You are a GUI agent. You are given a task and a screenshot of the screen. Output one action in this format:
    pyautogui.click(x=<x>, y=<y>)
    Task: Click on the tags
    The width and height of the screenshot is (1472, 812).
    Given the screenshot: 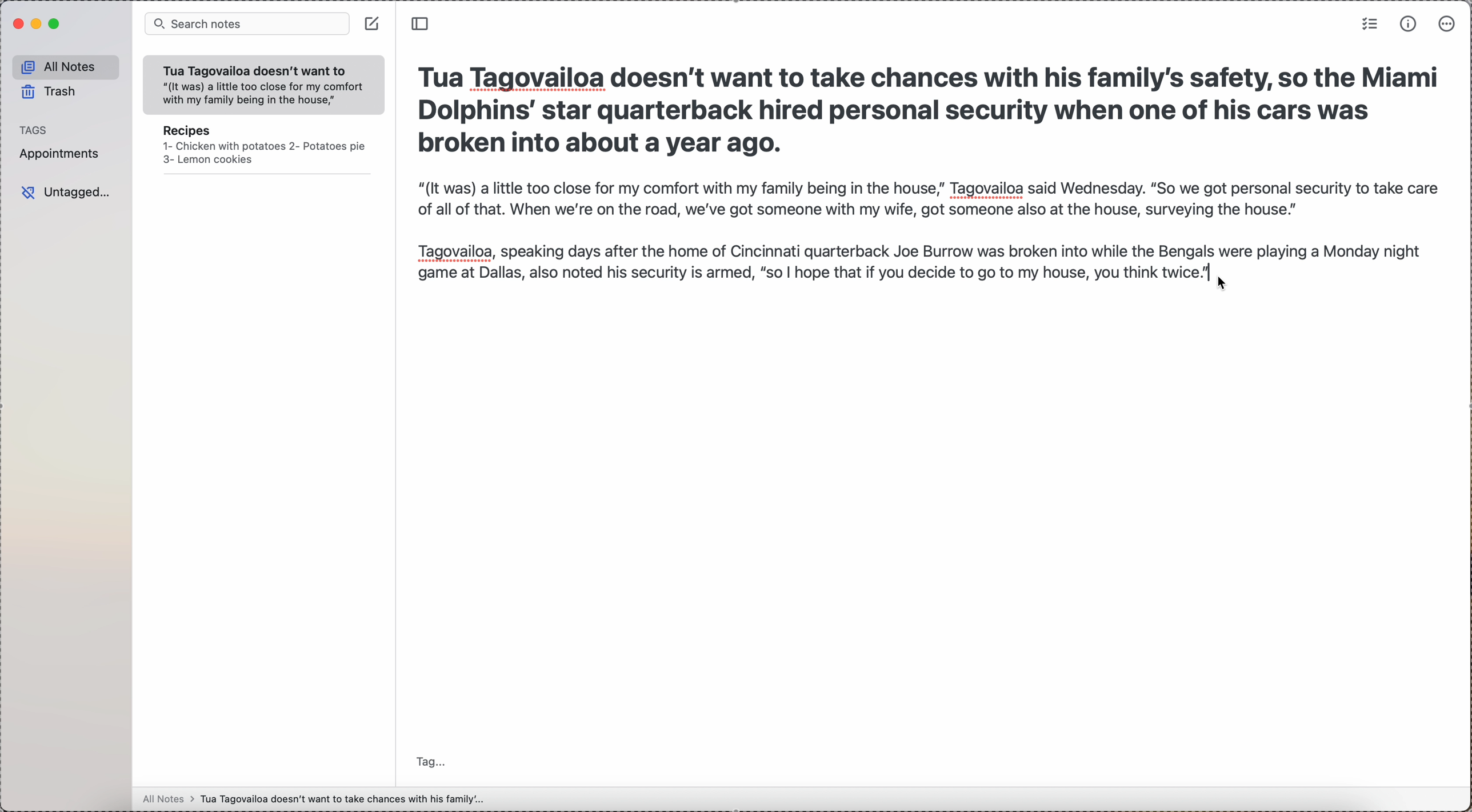 What is the action you would take?
    pyautogui.click(x=33, y=130)
    